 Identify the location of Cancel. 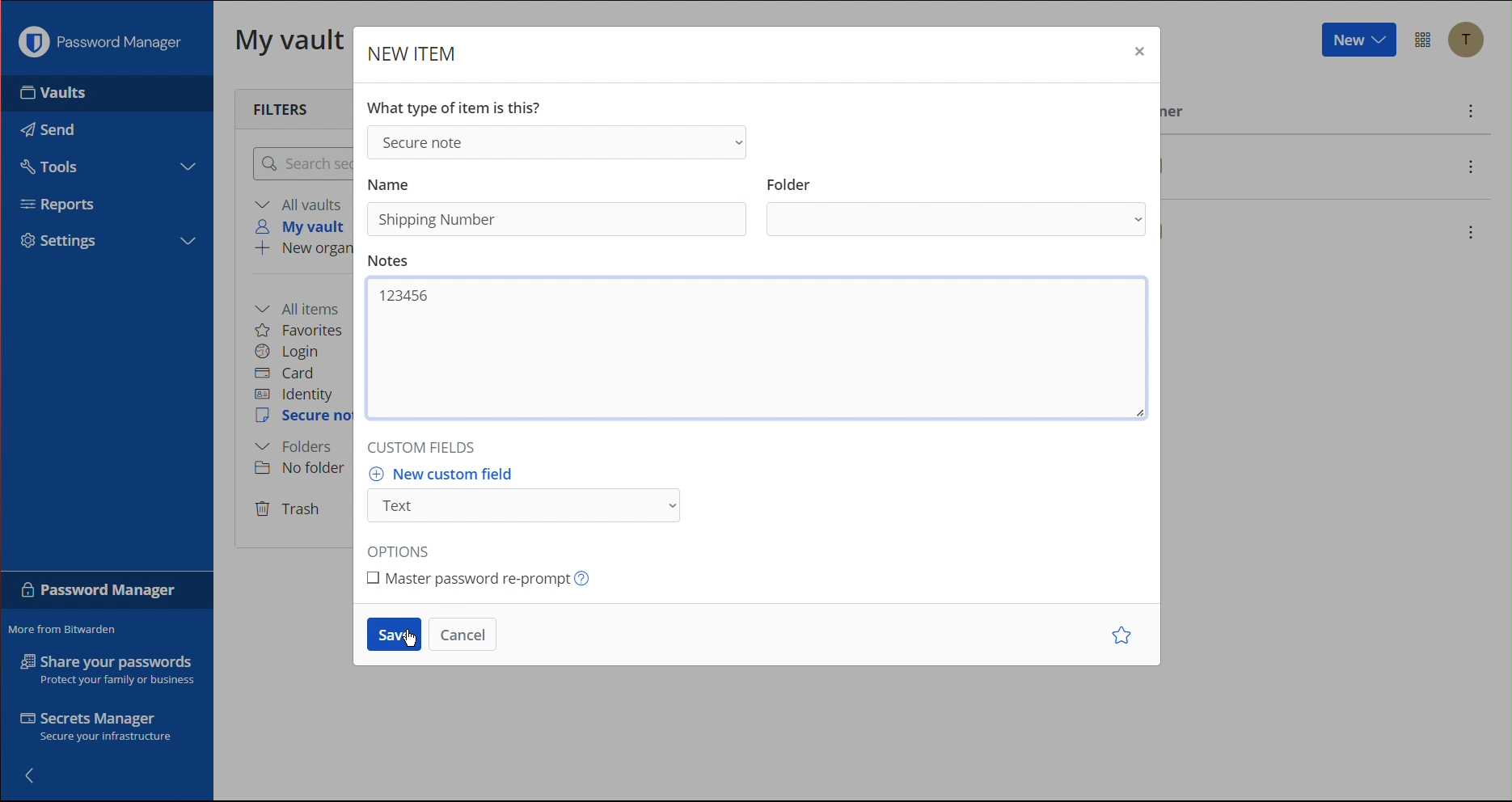
(464, 632).